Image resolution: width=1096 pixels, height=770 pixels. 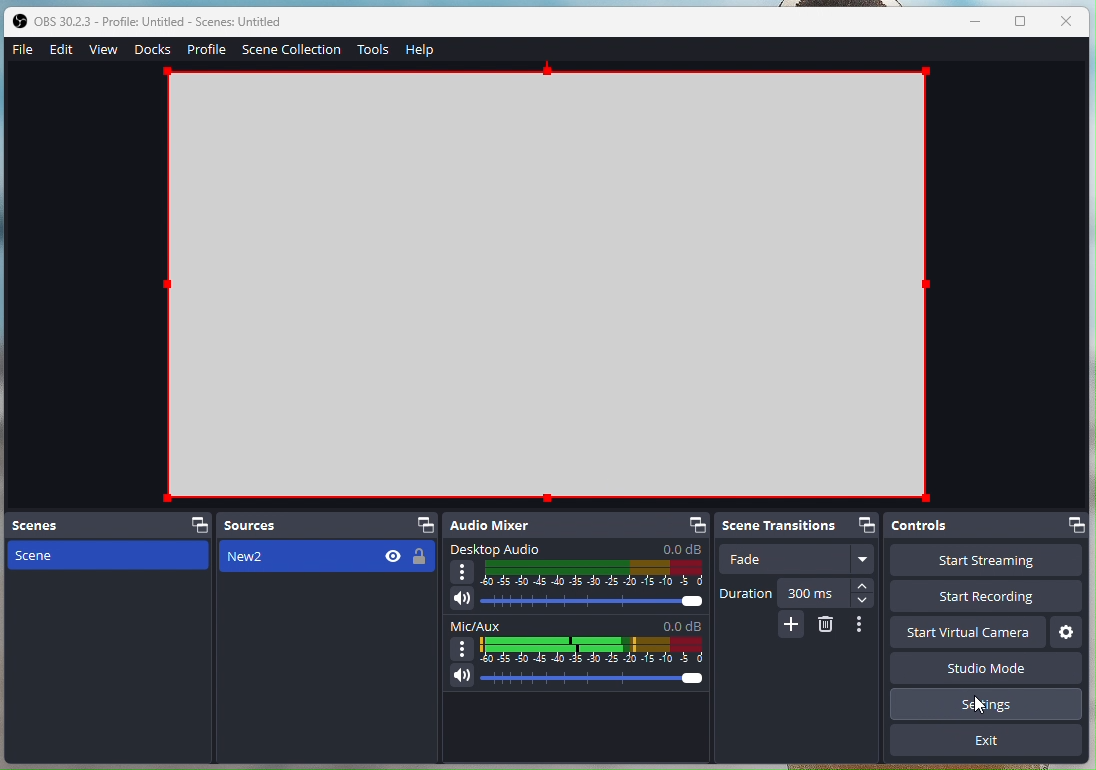 I want to click on Audio level, so click(x=594, y=649).